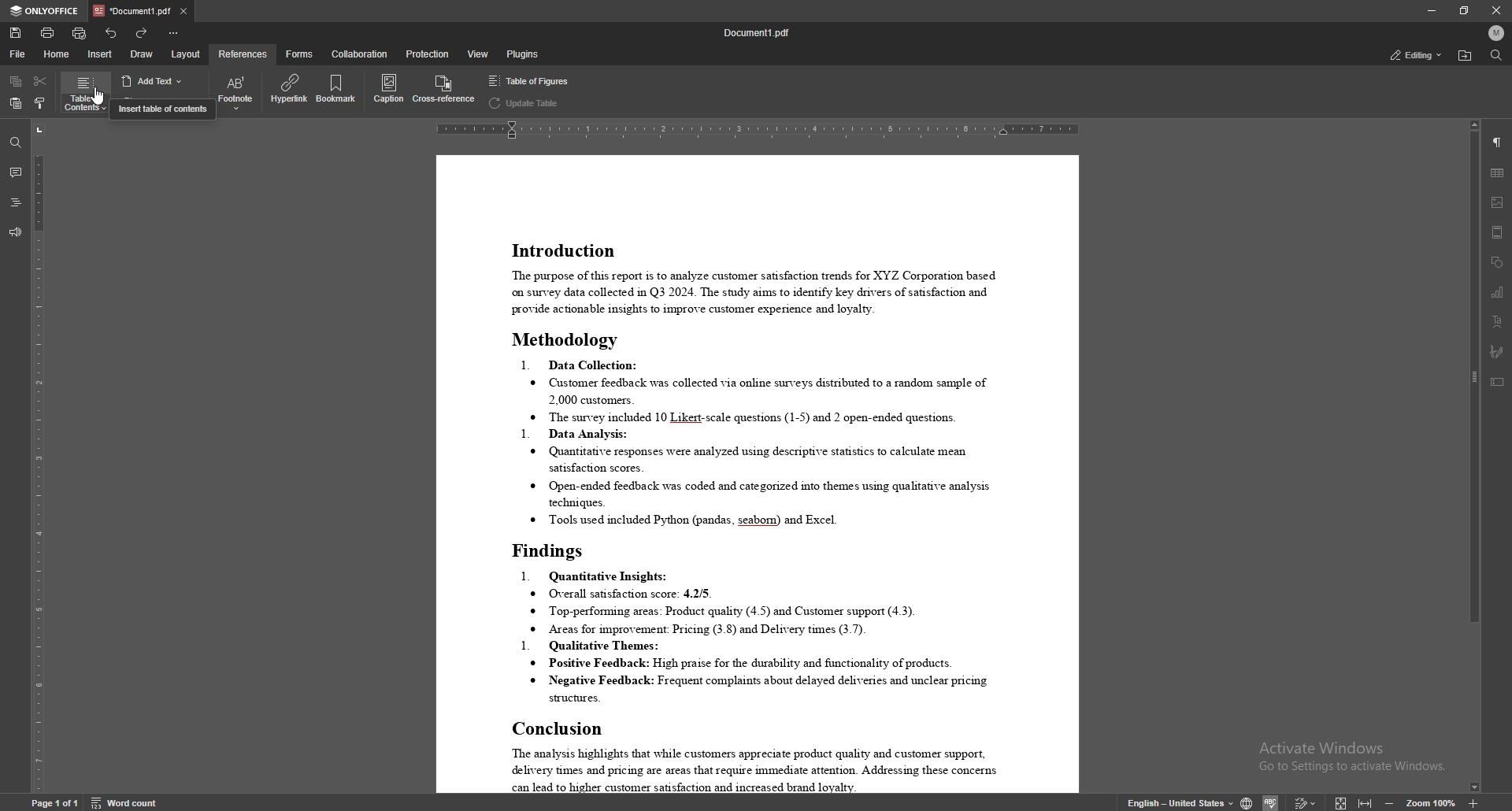  What do you see at coordinates (756, 474) in the screenshot?
I see `document` at bounding box center [756, 474].